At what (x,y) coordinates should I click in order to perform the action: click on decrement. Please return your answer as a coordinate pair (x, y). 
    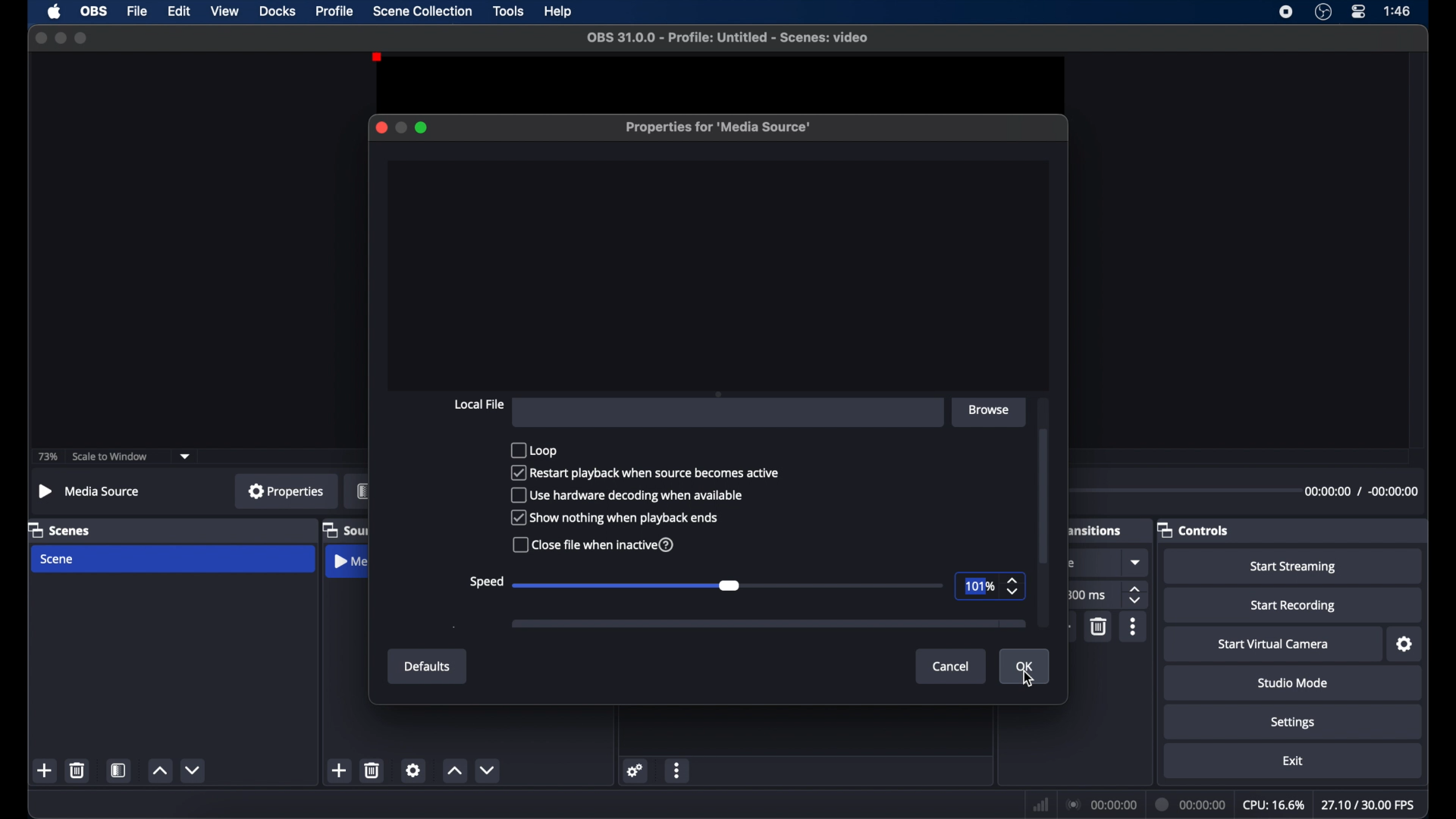
    Looking at the image, I should click on (194, 770).